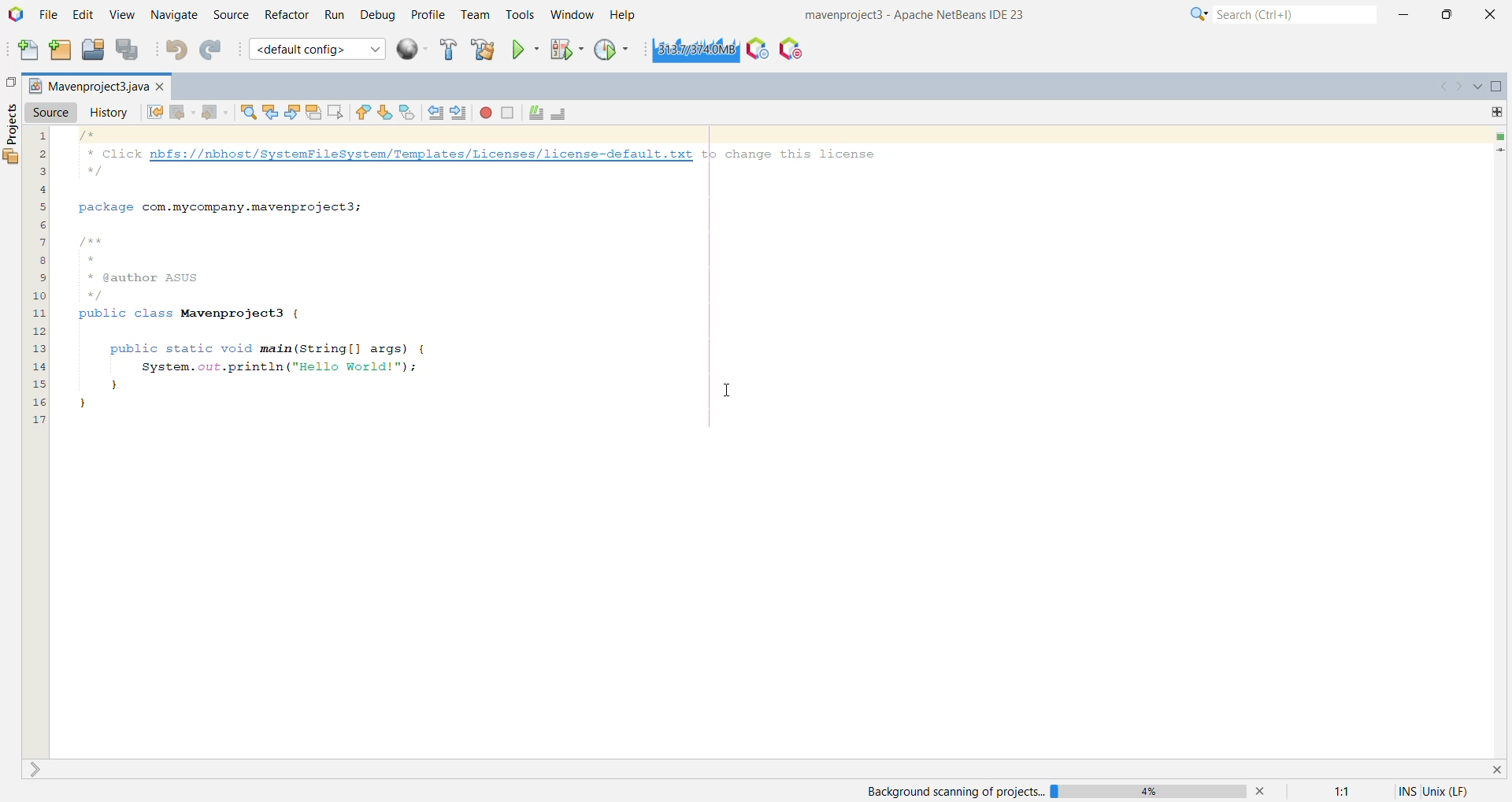  What do you see at coordinates (59, 51) in the screenshot?
I see `New Project` at bounding box center [59, 51].